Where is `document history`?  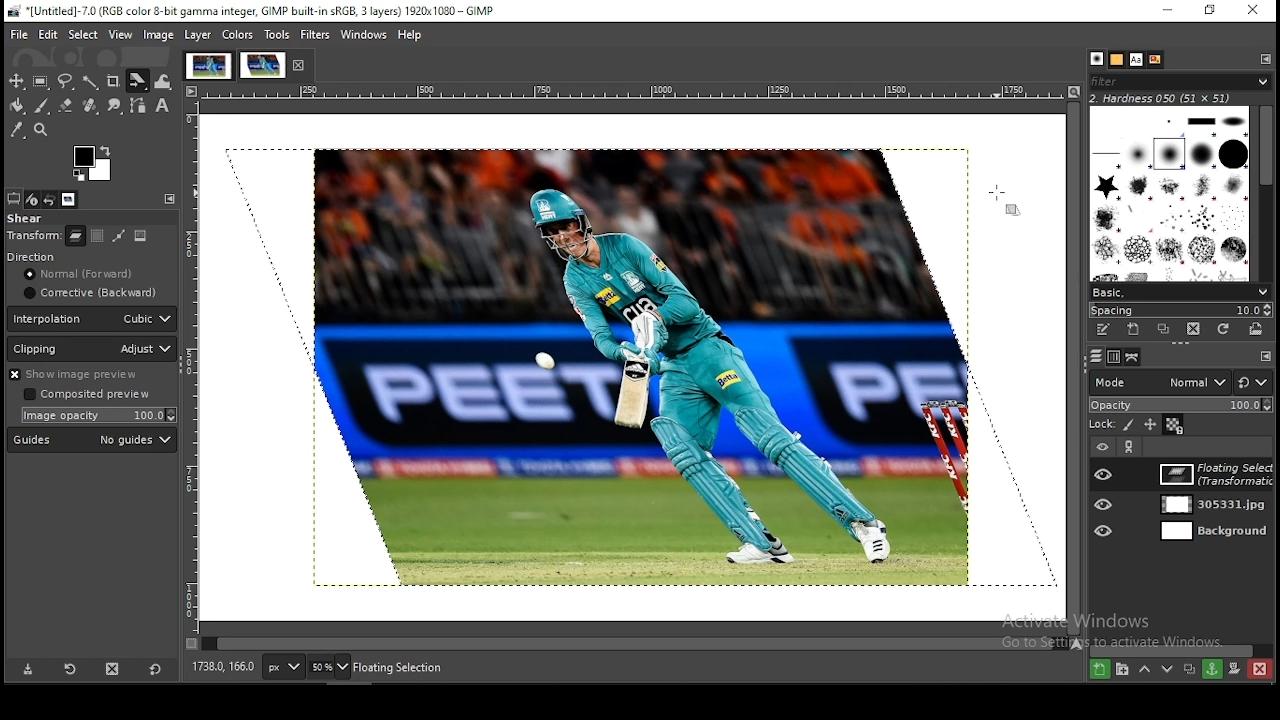 document history is located at coordinates (1153, 60).